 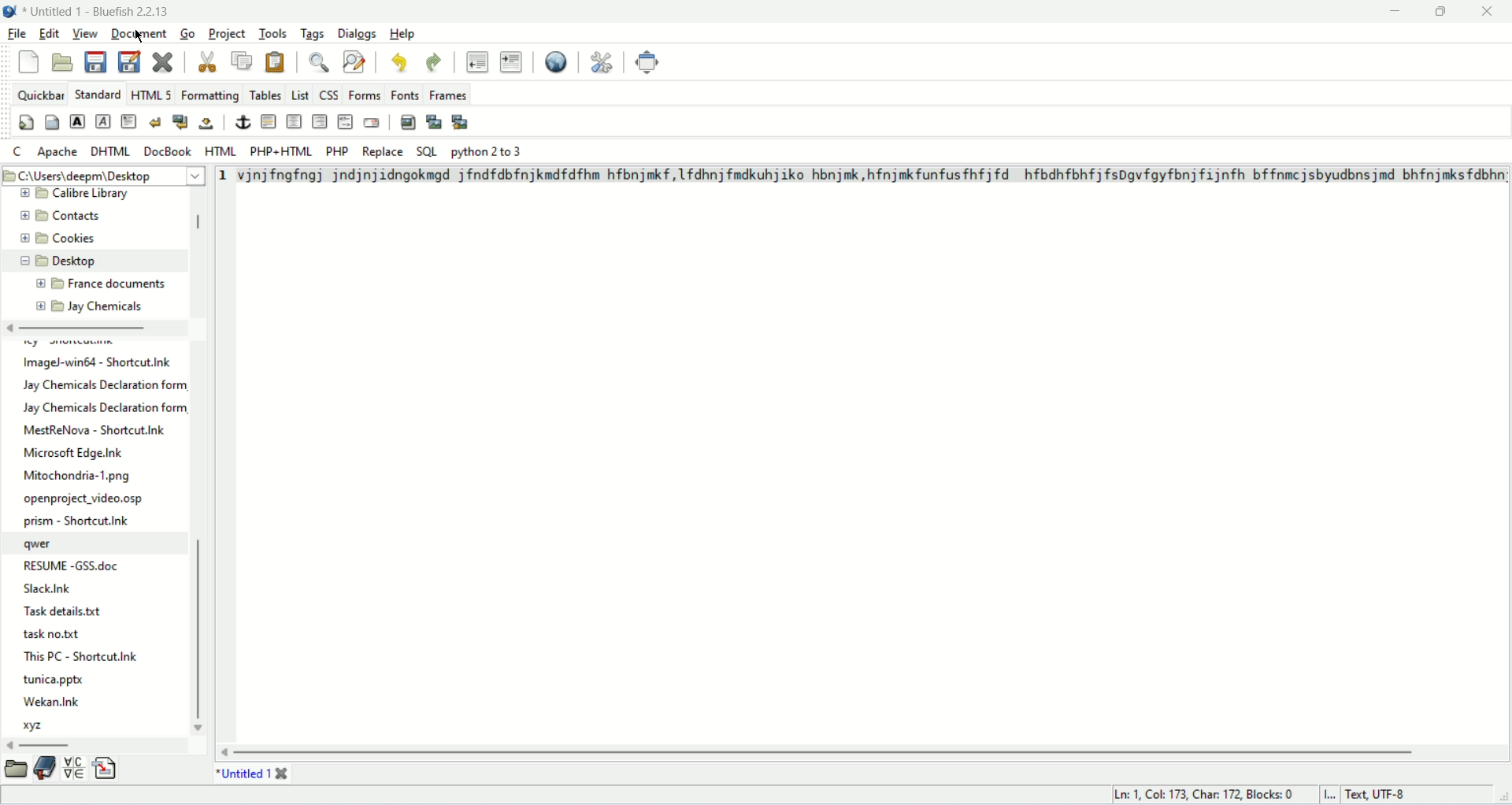 What do you see at coordinates (63, 60) in the screenshot?
I see `open` at bounding box center [63, 60].